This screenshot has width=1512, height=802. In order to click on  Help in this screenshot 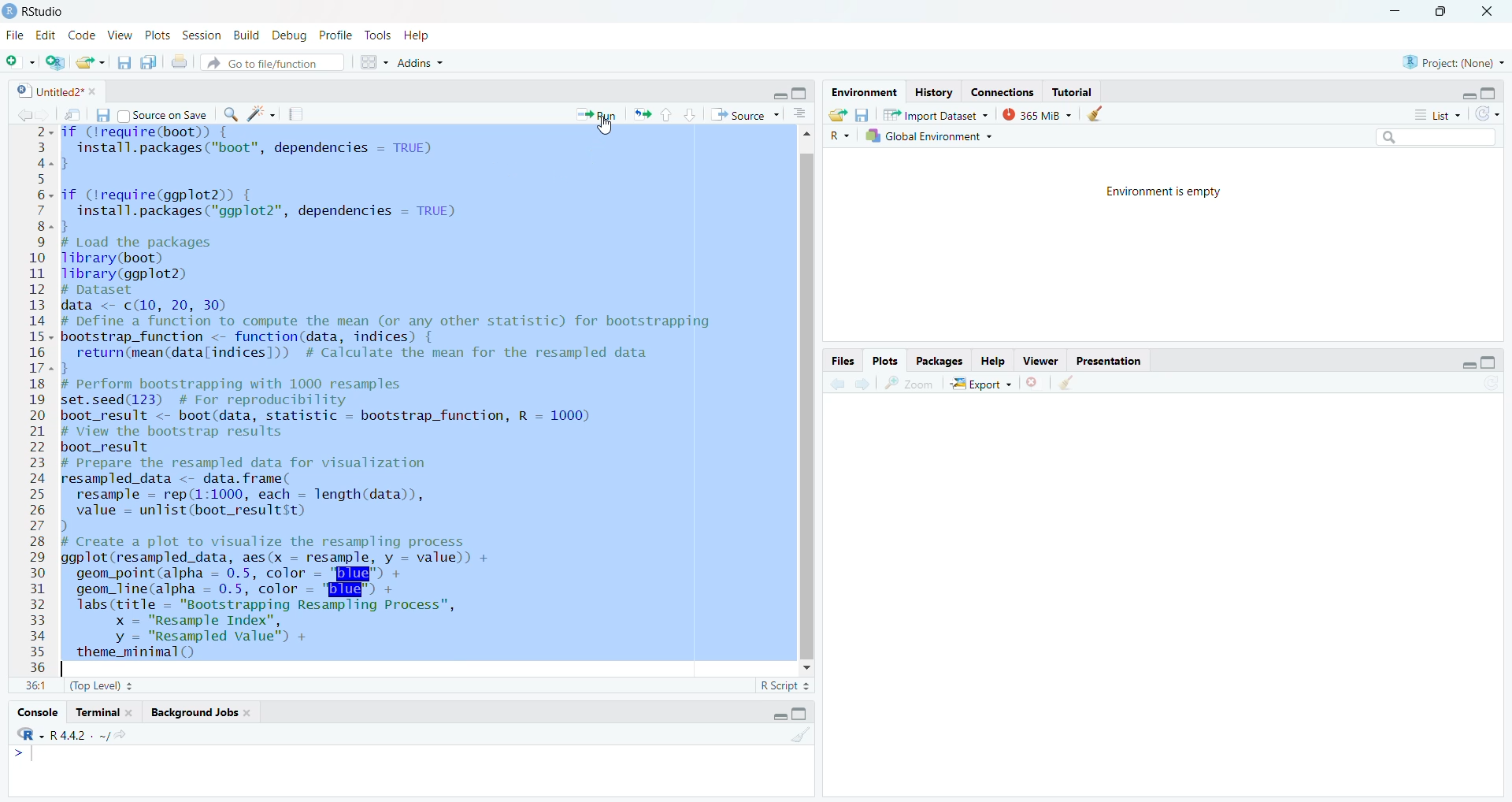, I will do `click(417, 35)`.